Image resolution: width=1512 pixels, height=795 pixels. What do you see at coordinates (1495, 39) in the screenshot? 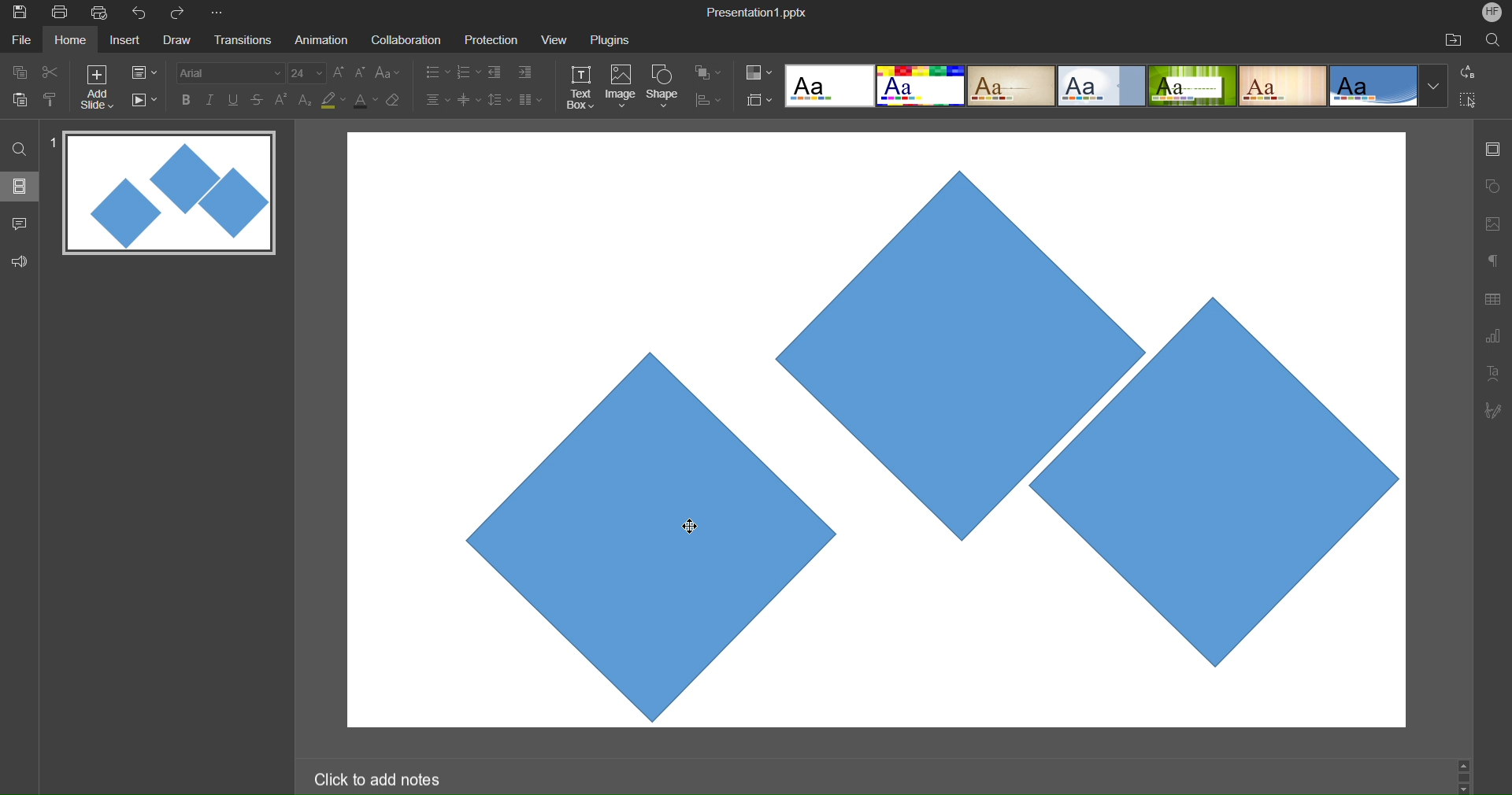
I see `search` at bounding box center [1495, 39].